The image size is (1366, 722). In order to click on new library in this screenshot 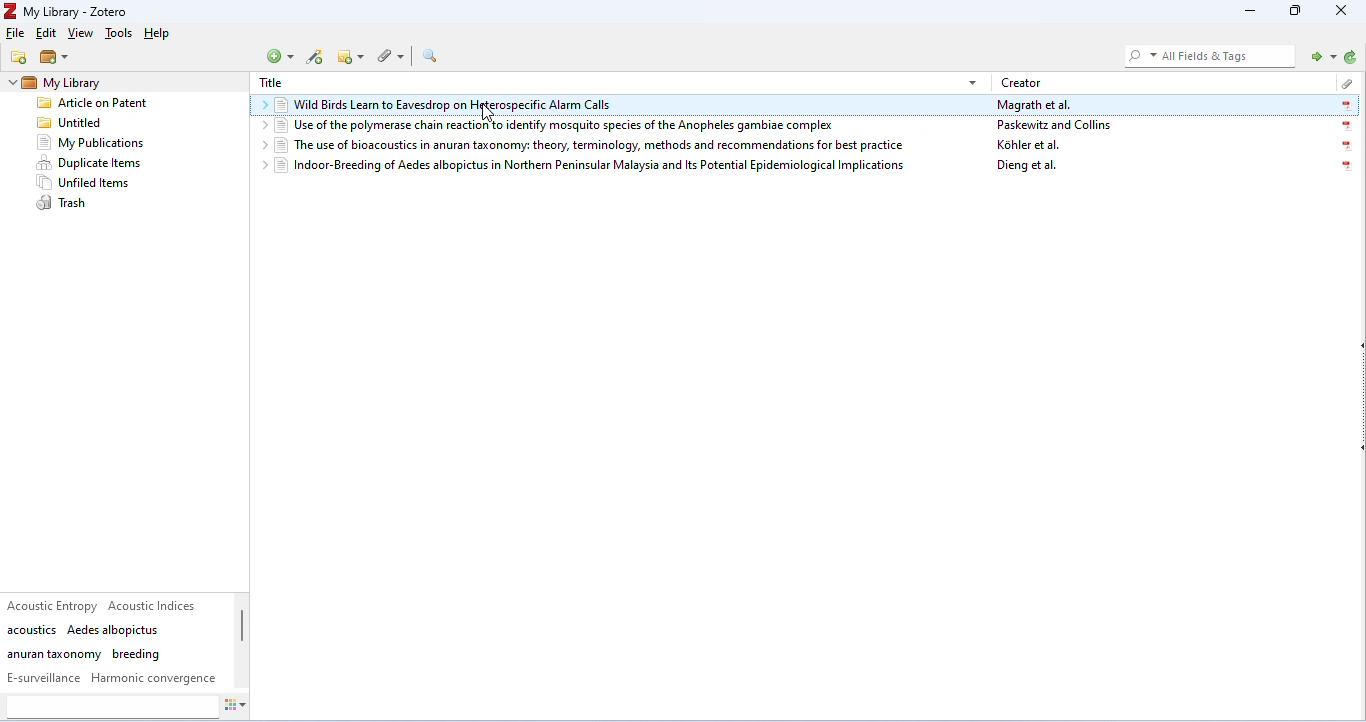, I will do `click(55, 58)`.